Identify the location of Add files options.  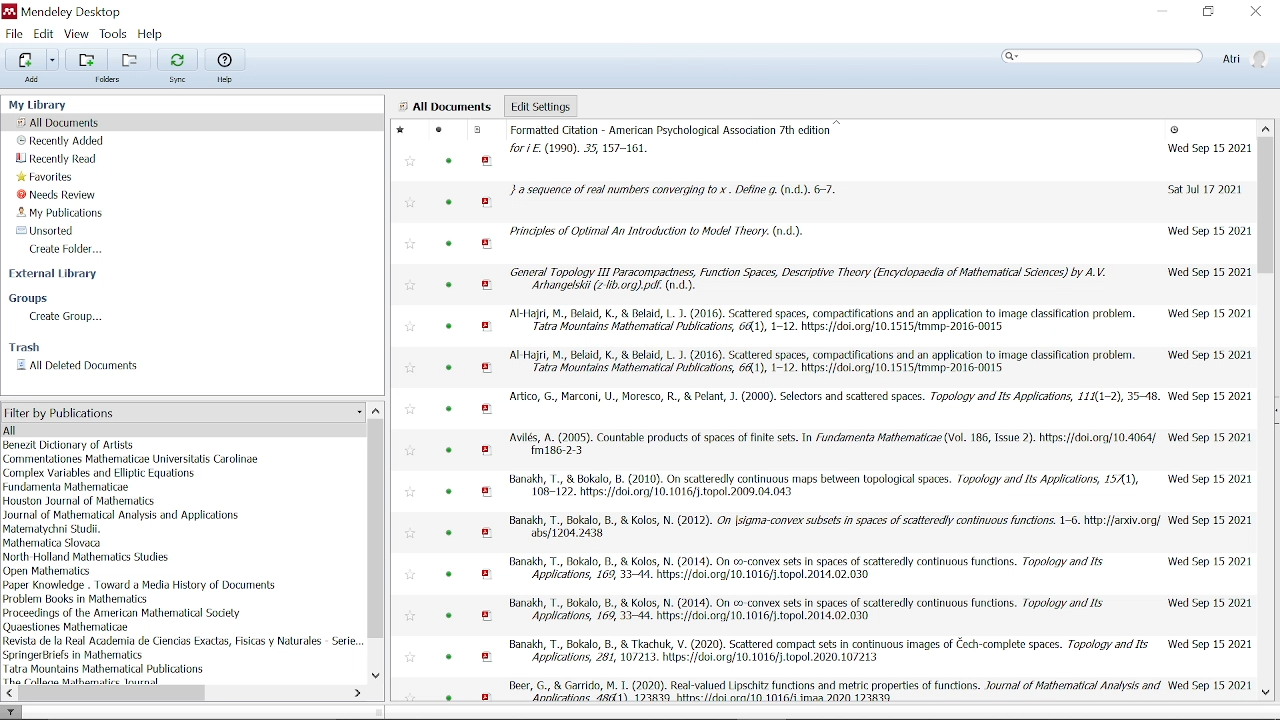
(53, 60).